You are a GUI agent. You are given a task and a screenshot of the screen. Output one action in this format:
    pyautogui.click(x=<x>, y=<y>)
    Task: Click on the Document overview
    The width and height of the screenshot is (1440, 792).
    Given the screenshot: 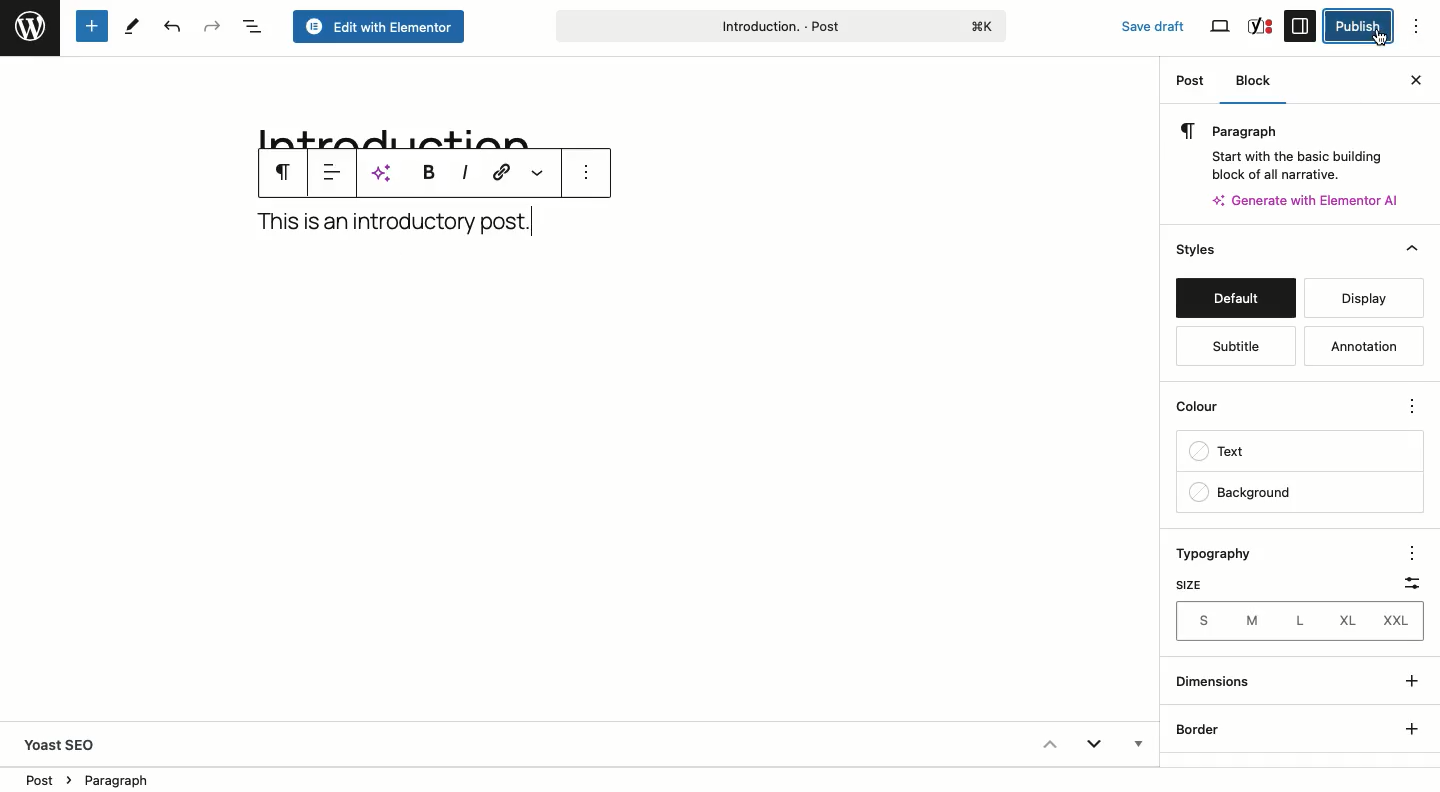 What is the action you would take?
    pyautogui.click(x=253, y=28)
    